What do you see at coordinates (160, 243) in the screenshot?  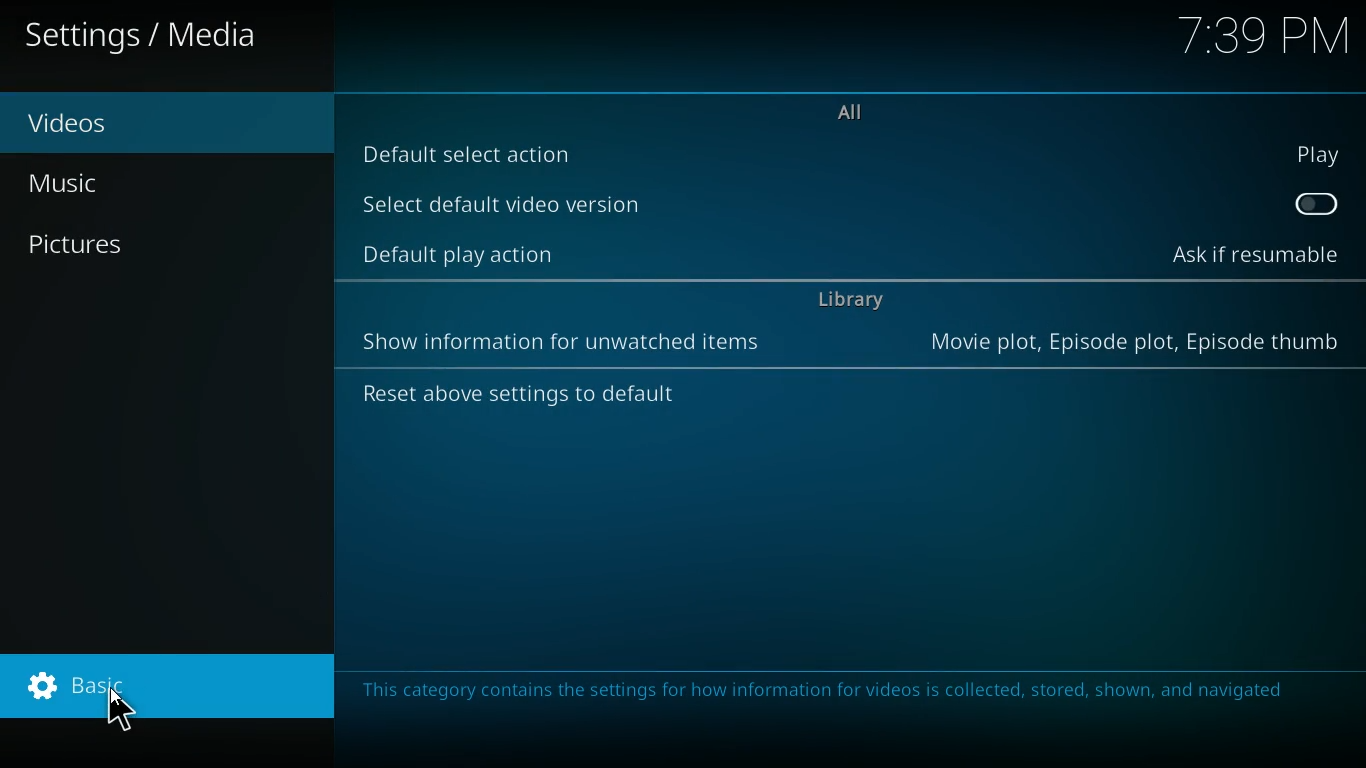 I see `pictures` at bounding box center [160, 243].